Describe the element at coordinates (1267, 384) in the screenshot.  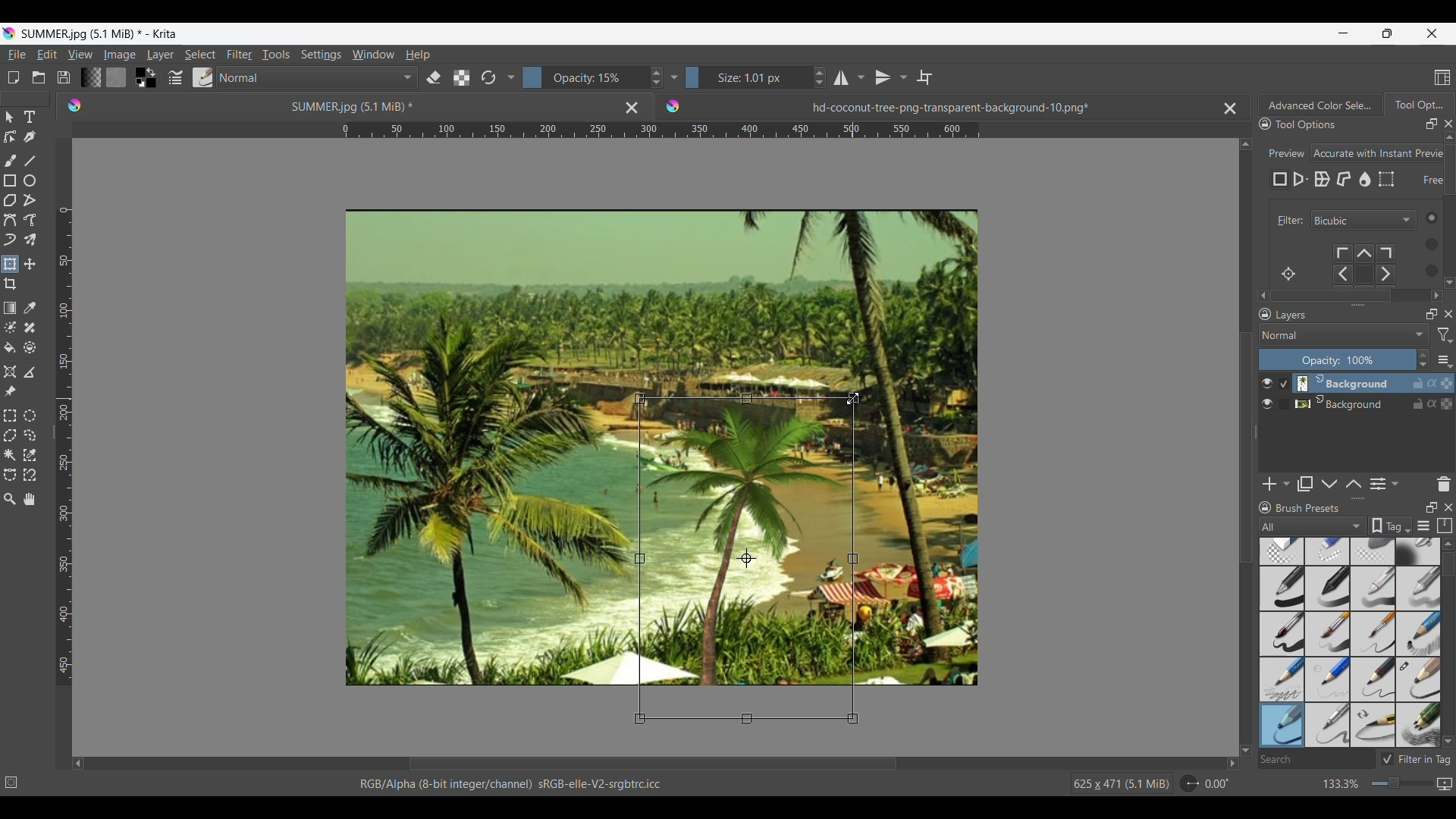
I see `Show/Hide layer` at that location.